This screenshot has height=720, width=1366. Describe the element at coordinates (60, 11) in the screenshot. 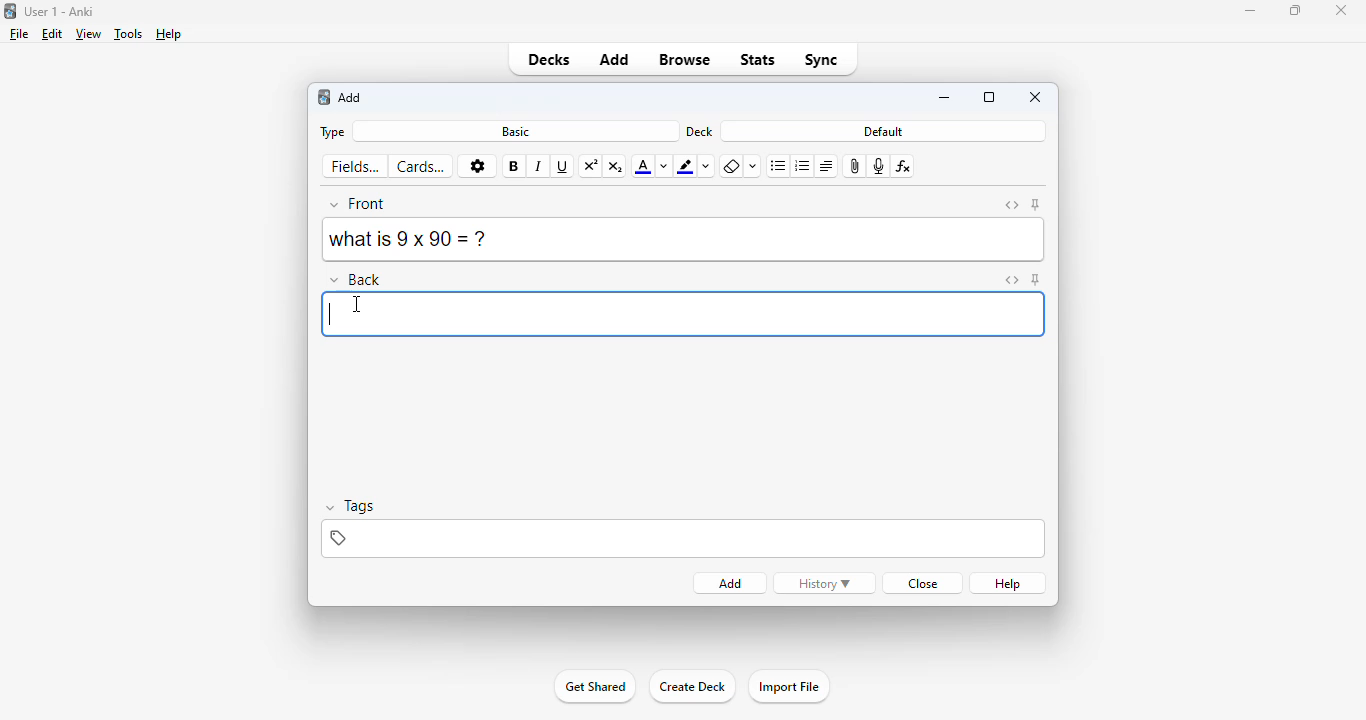

I see `title` at that location.